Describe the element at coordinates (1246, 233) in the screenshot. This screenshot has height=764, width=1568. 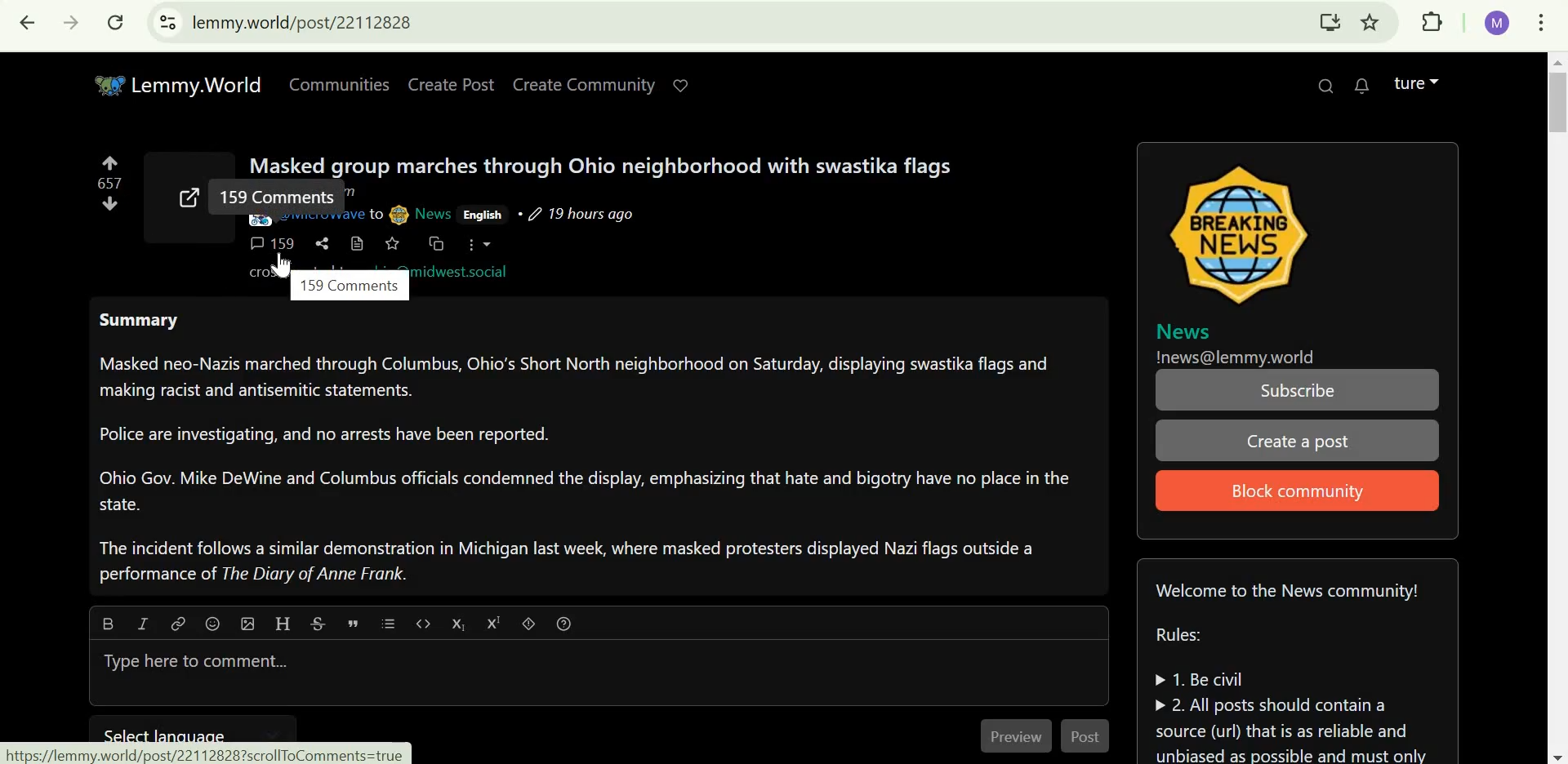
I see `image icon` at that location.